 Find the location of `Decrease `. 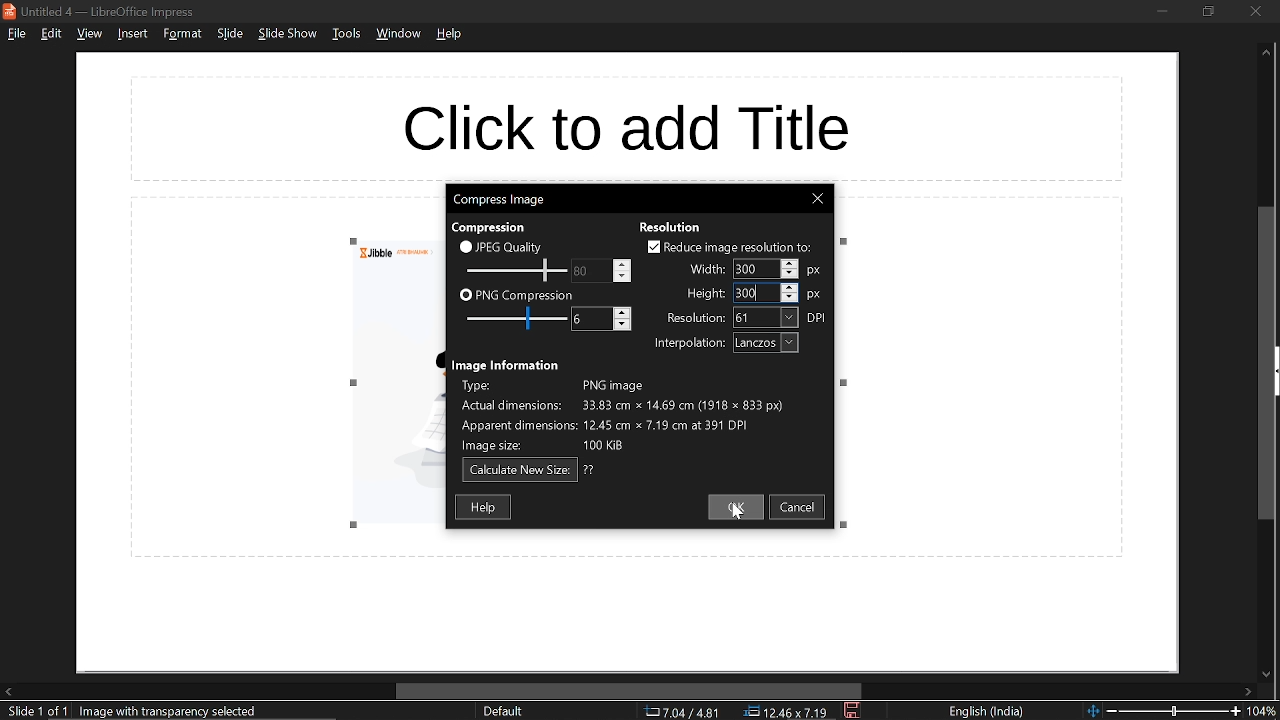

Decrease  is located at coordinates (623, 276).